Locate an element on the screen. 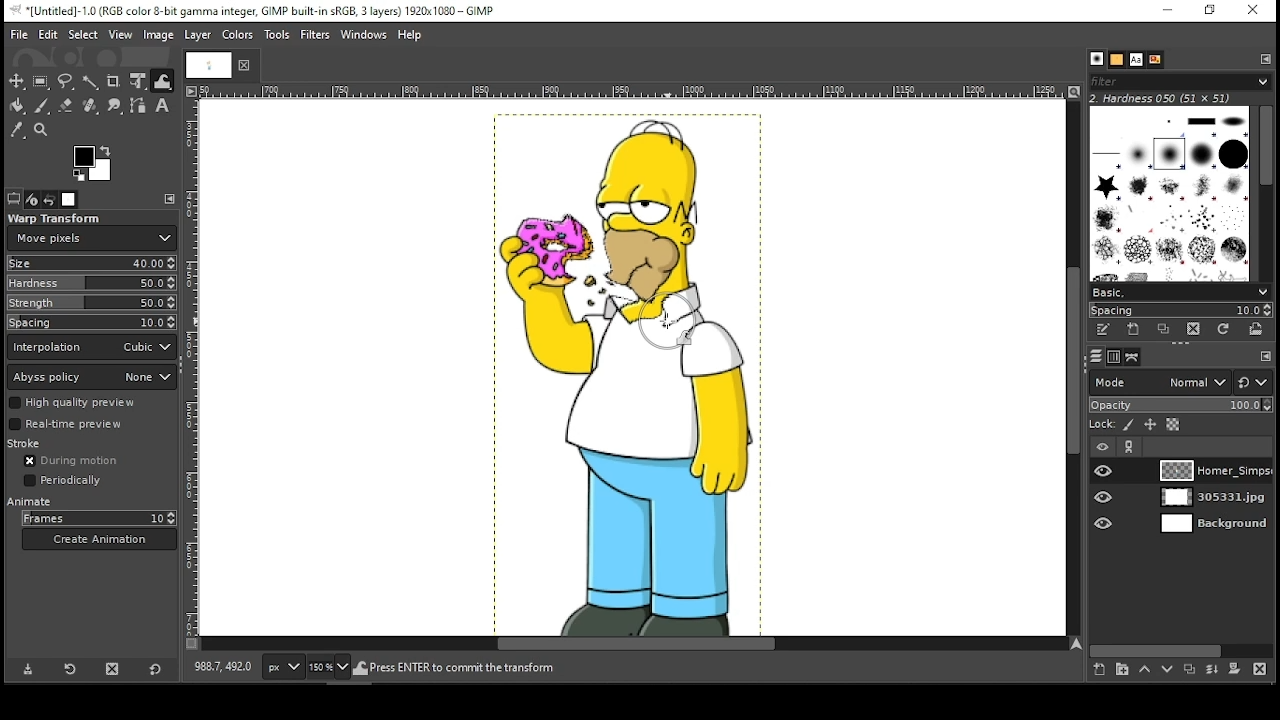  save tool preset is located at coordinates (27, 669).